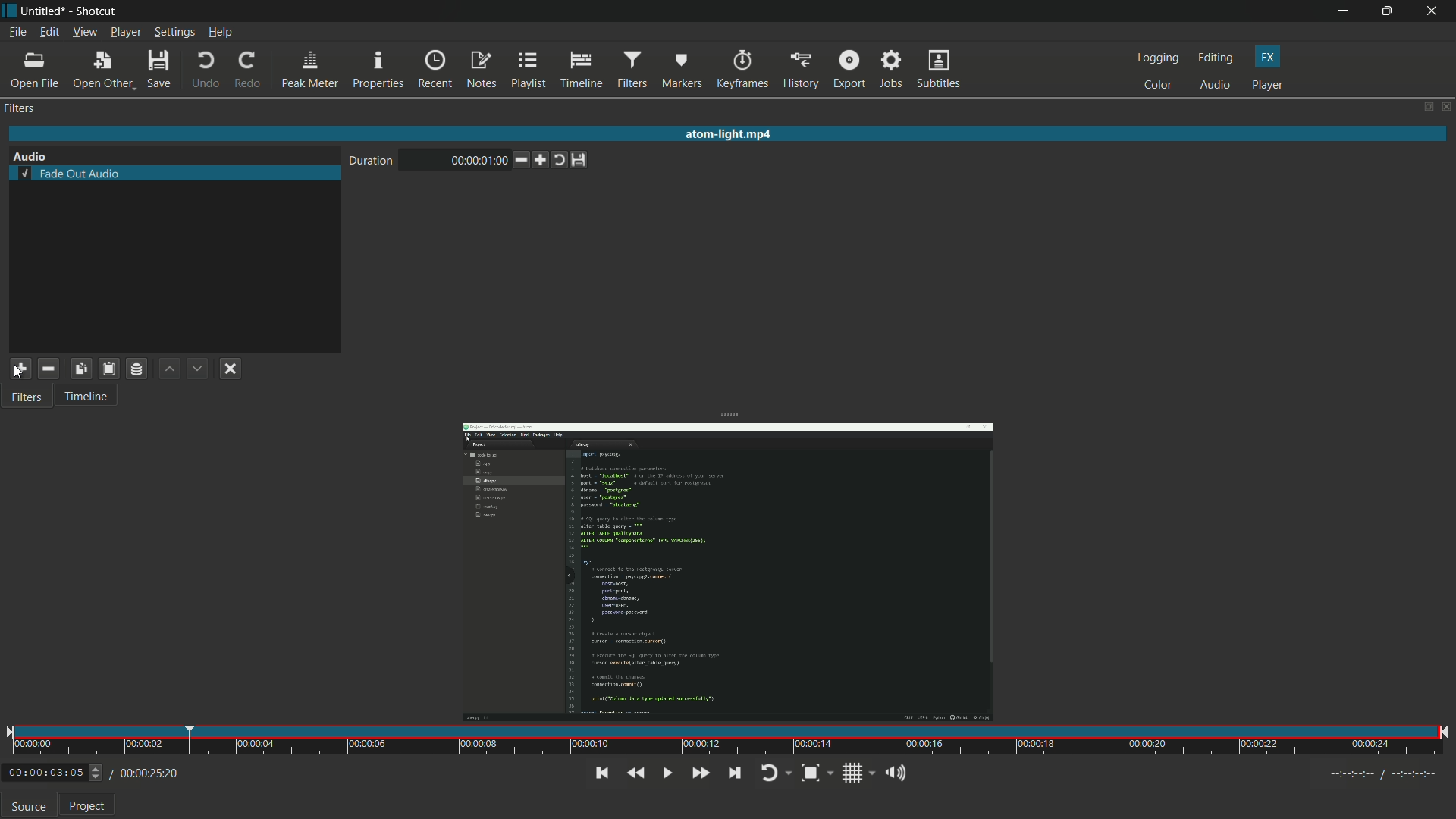 The width and height of the screenshot is (1456, 819). What do you see at coordinates (770, 773) in the screenshot?
I see `toggle player looping` at bounding box center [770, 773].